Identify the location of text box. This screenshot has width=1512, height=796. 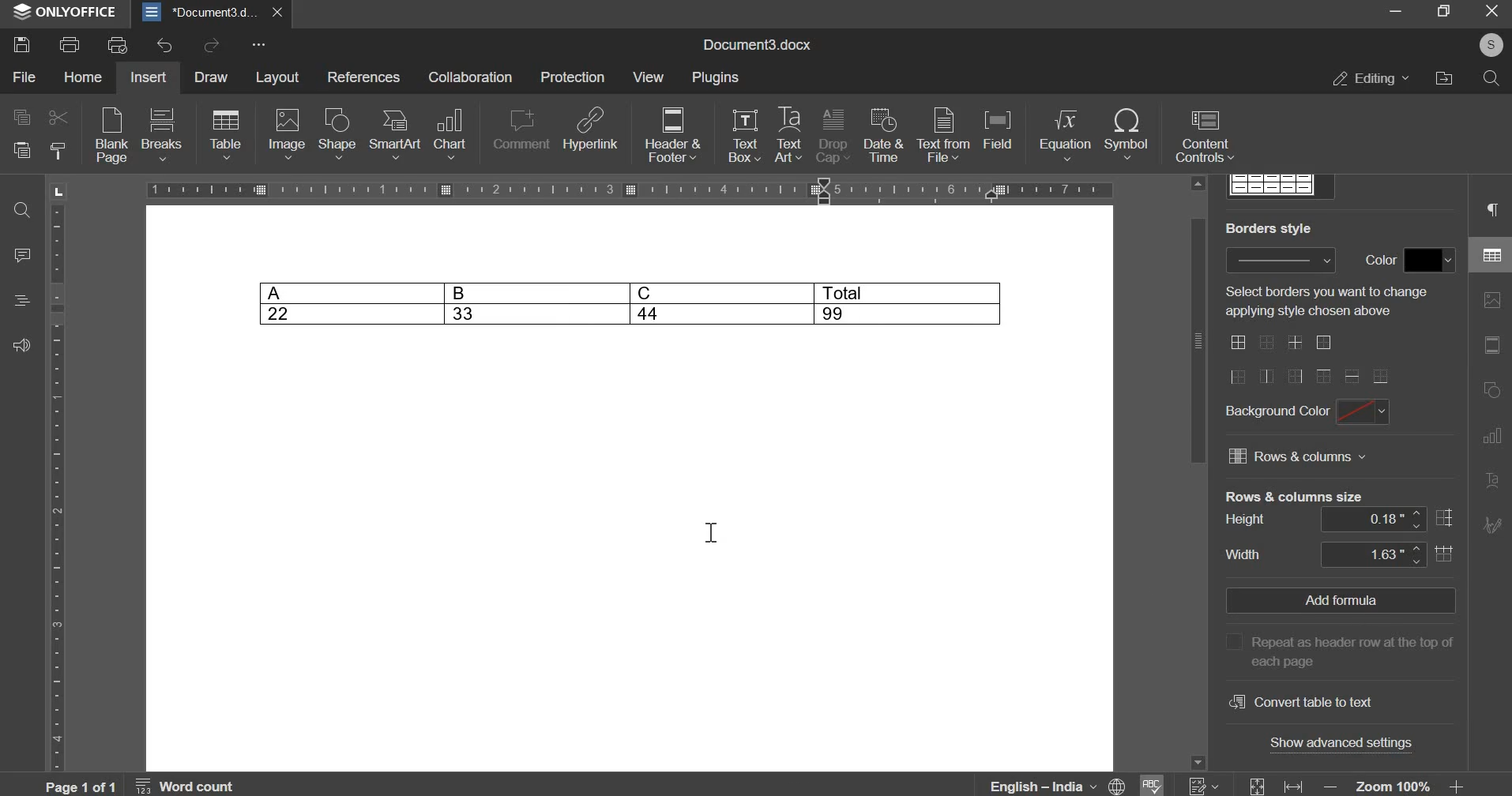
(744, 135).